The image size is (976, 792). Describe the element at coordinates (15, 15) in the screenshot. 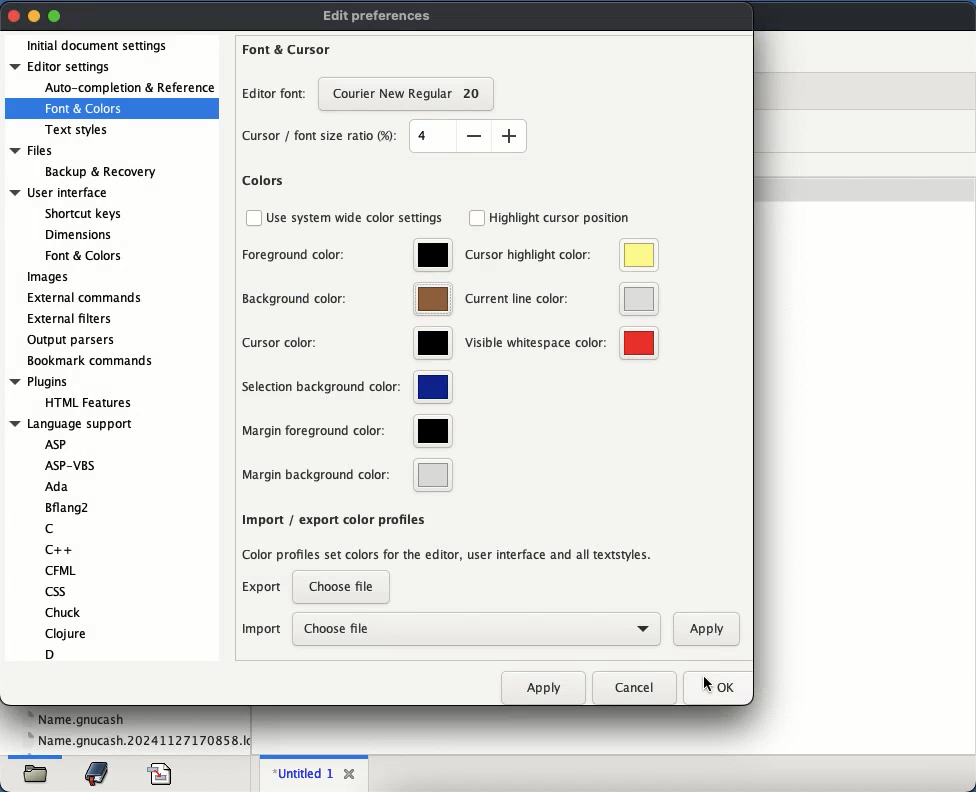

I see `close` at that location.